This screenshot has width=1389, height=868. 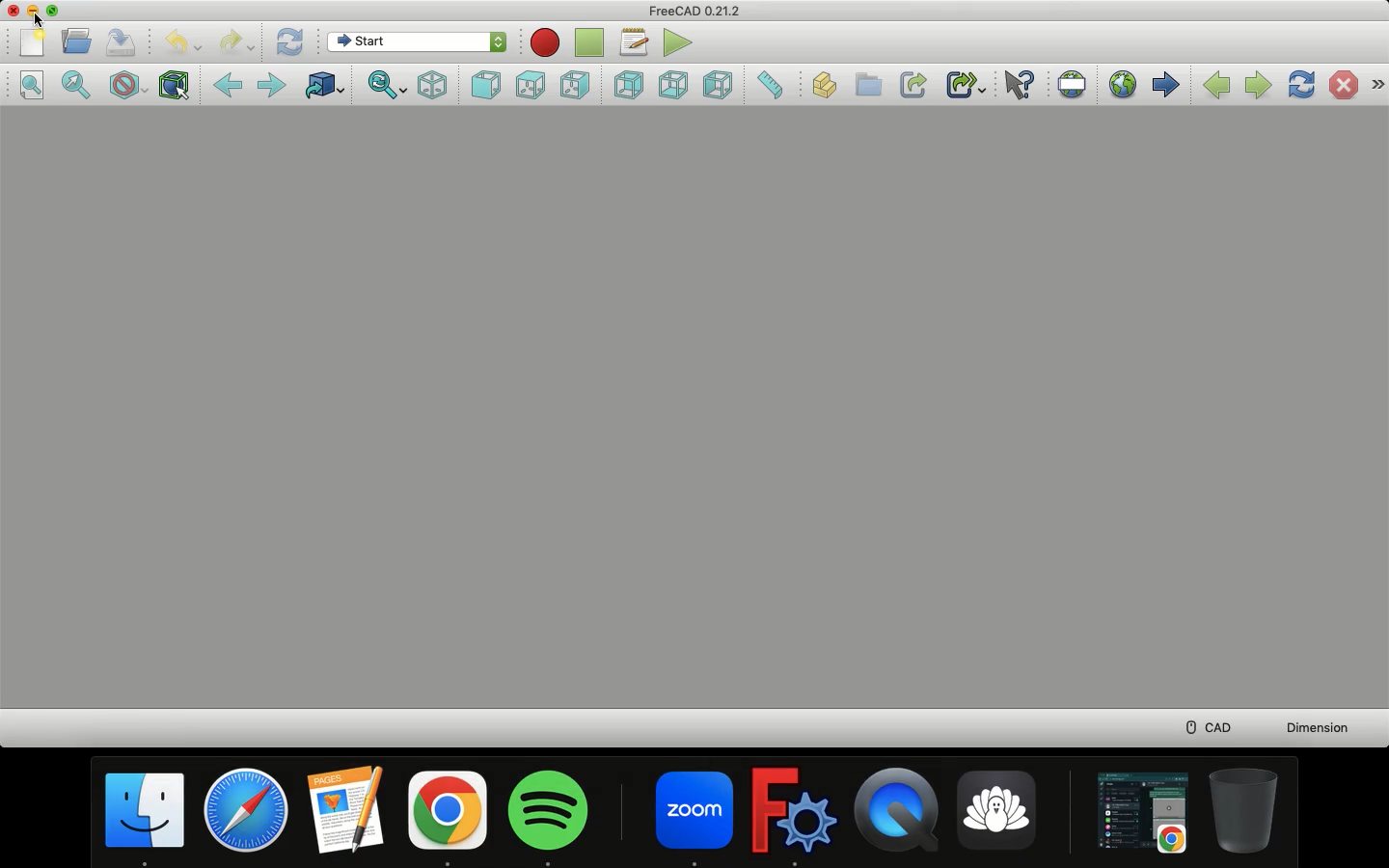 I want to click on Stop loading, so click(x=1342, y=84).